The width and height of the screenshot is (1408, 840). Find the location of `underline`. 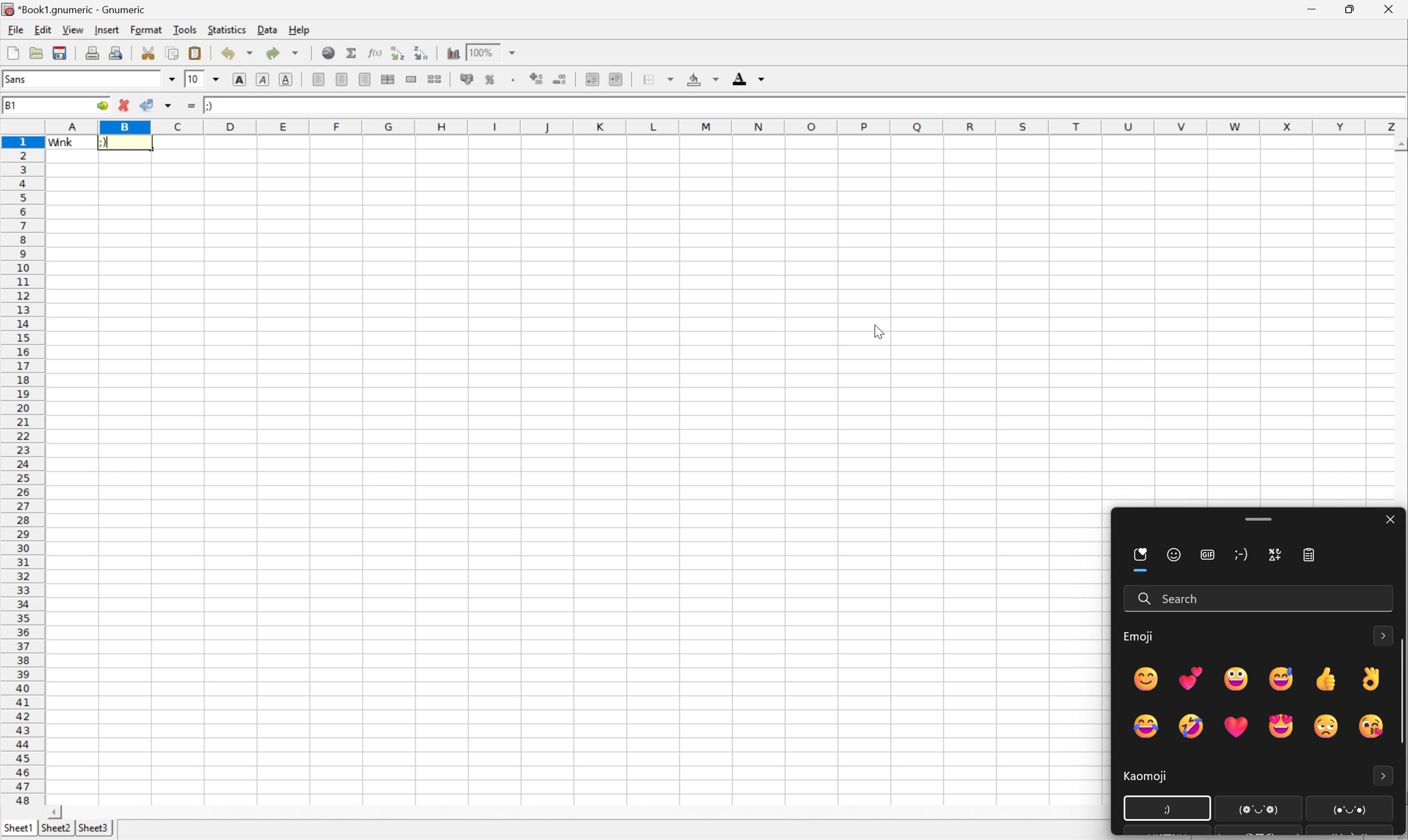

underline is located at coordinates (286, 78).